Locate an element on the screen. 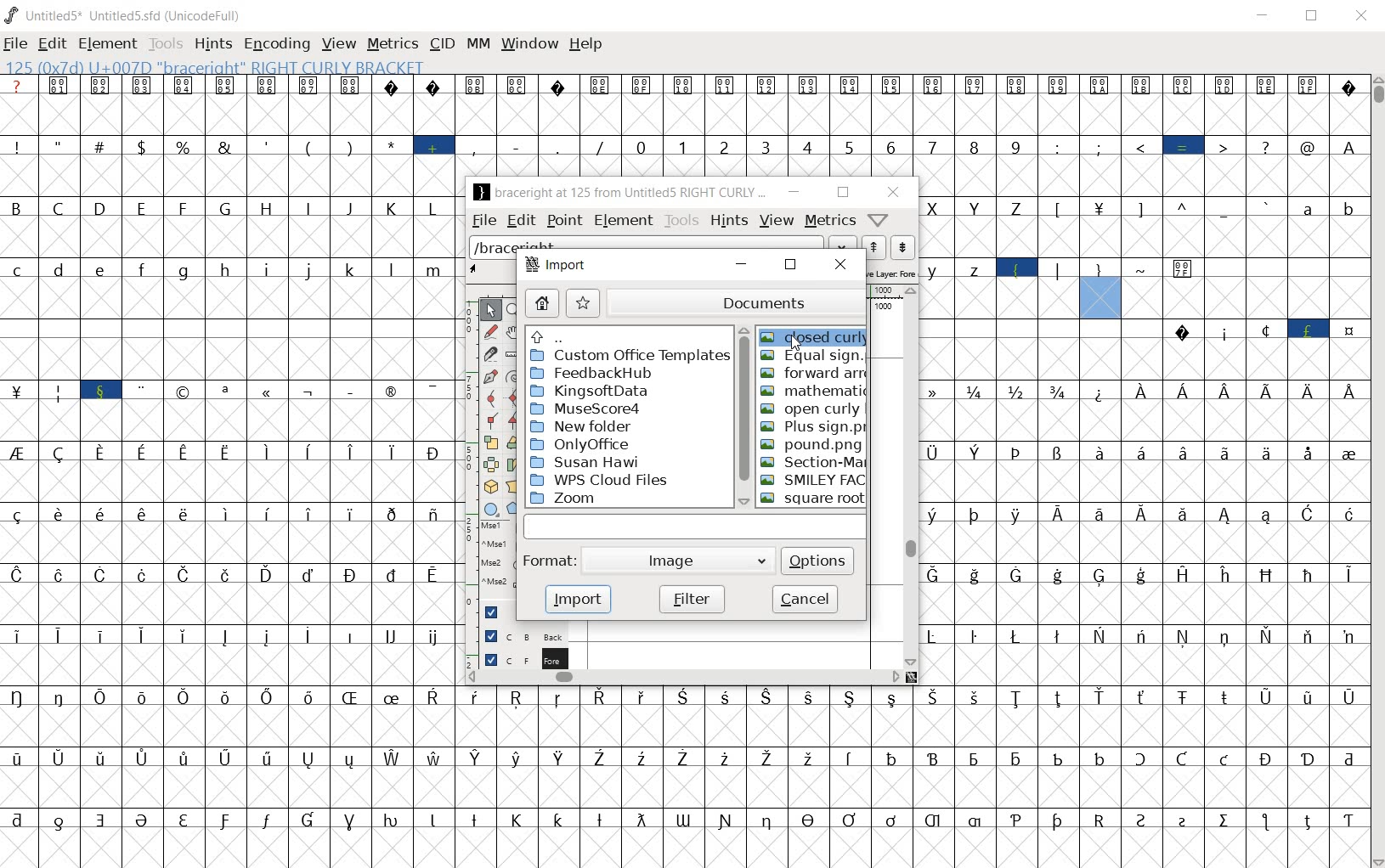 This screenshot has height=868, width=1385. braceright at 125 from Untitled5 RIGHT CURLY ... is located at coordinates (619, 194).